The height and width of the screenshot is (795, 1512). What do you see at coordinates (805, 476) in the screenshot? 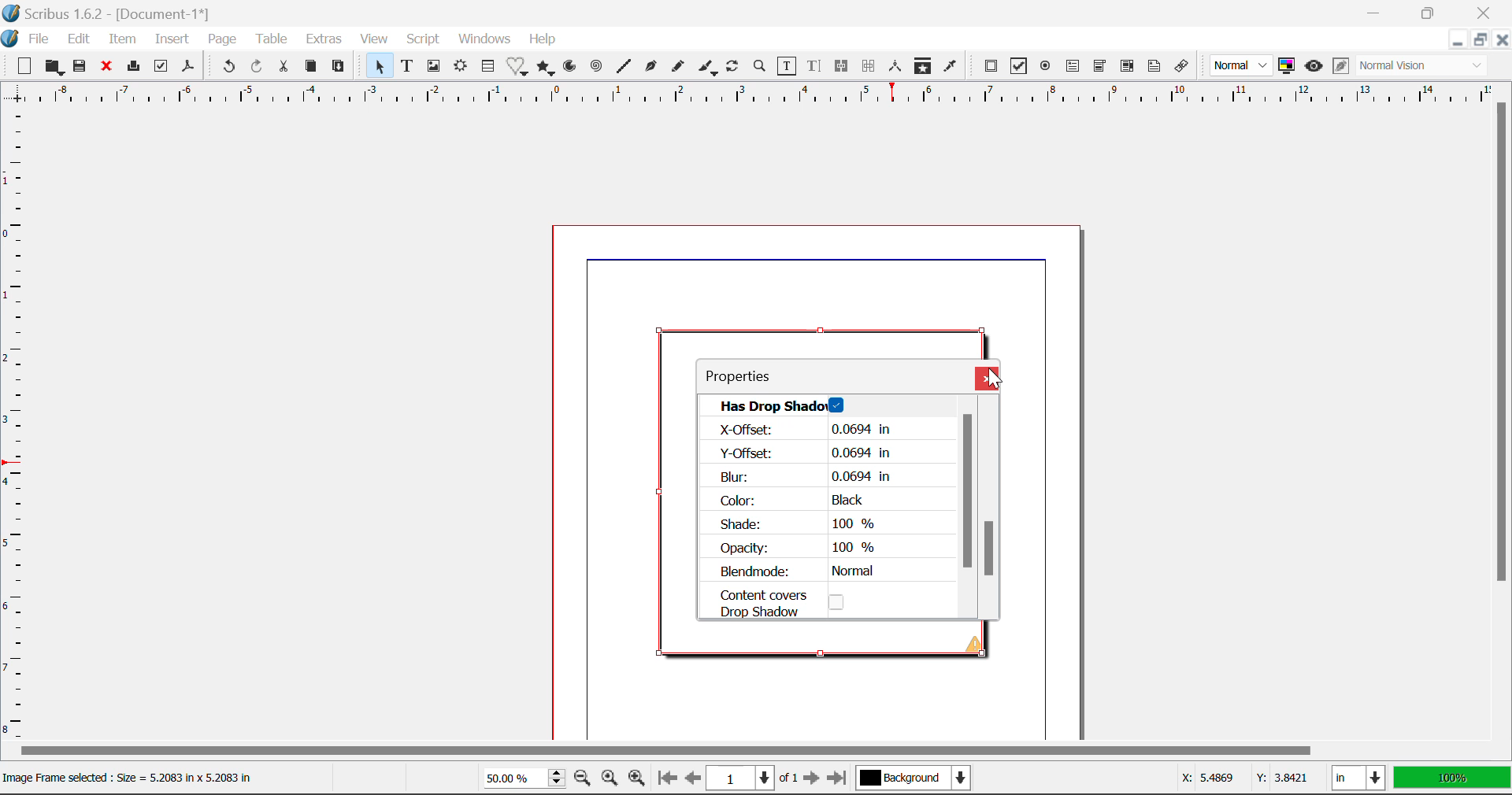
I see `Blur: 0.0694 in` at bounding box center [805, 476].